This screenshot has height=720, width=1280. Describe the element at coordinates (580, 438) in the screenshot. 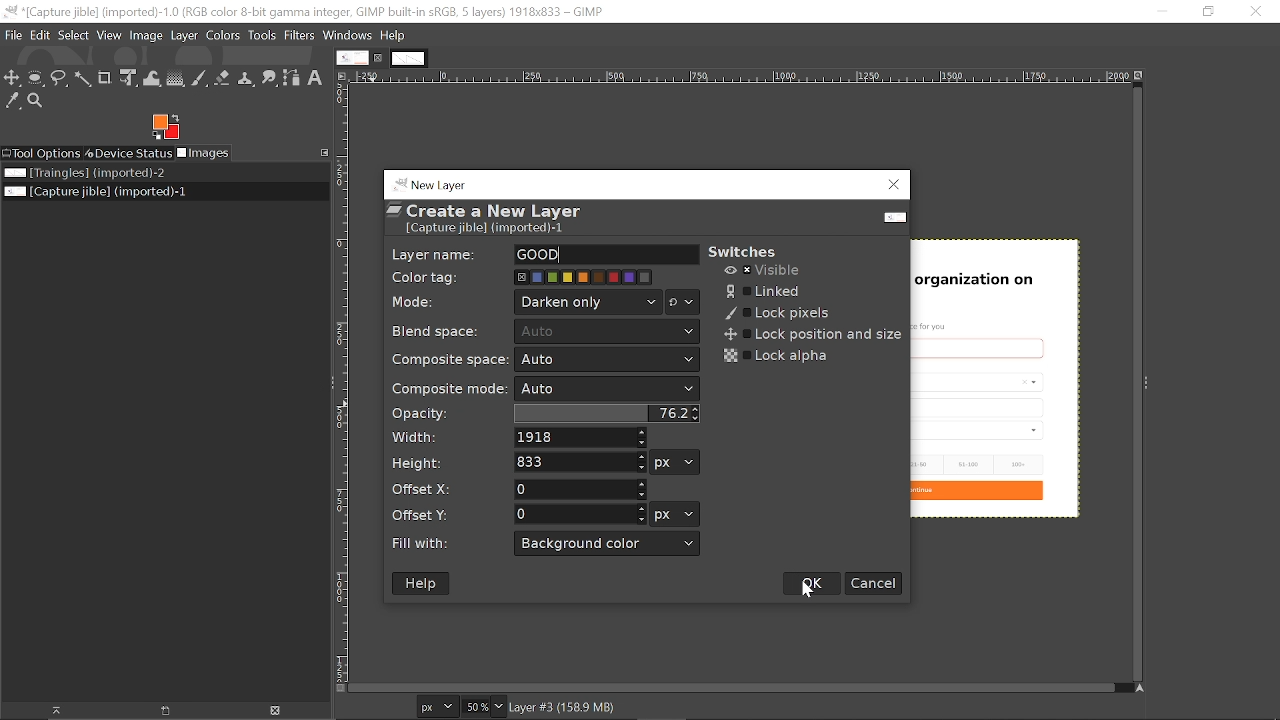

I see `Width` at that location.